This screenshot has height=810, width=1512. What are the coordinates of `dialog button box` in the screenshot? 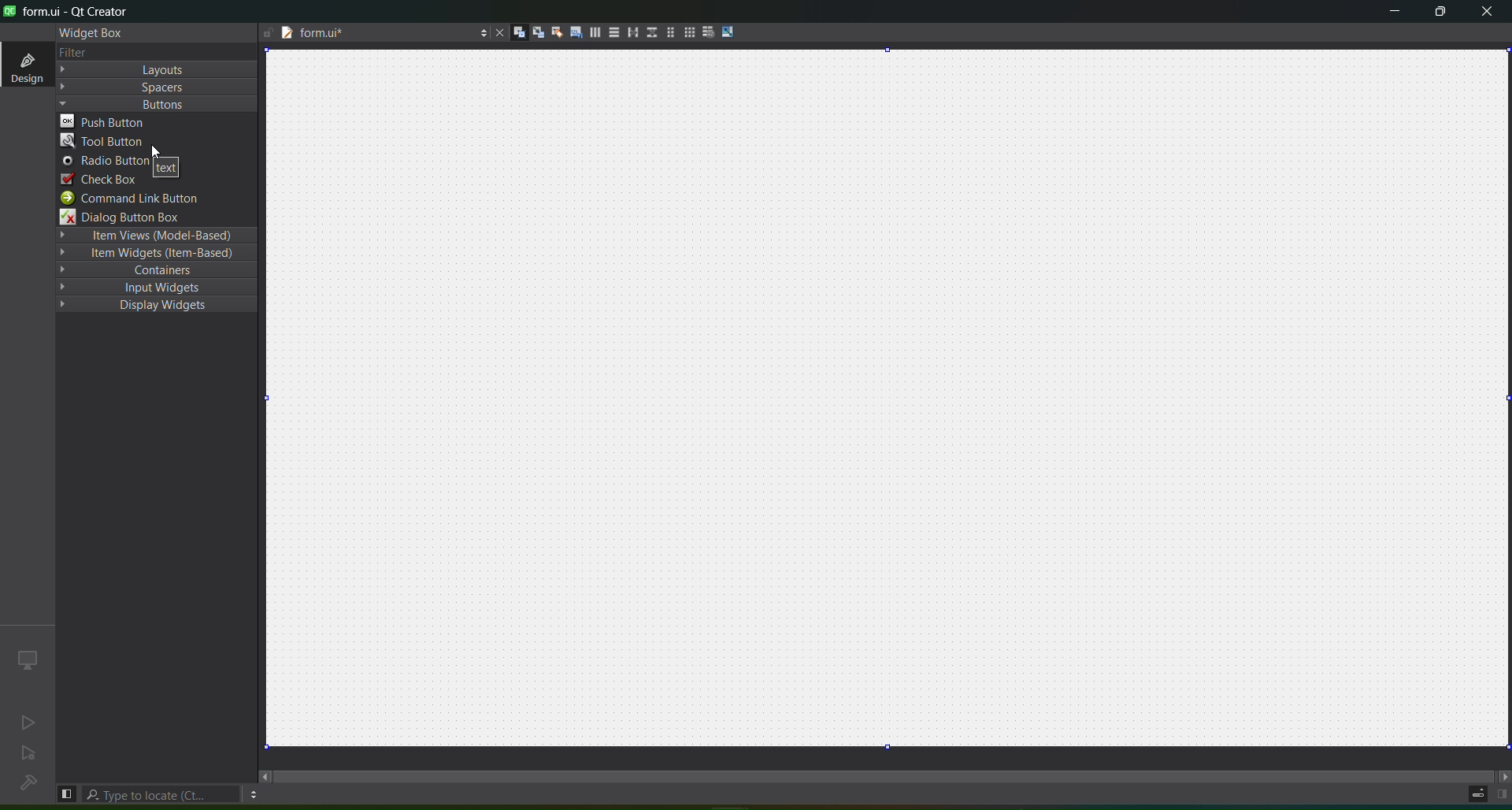 It's located at (151, 216).